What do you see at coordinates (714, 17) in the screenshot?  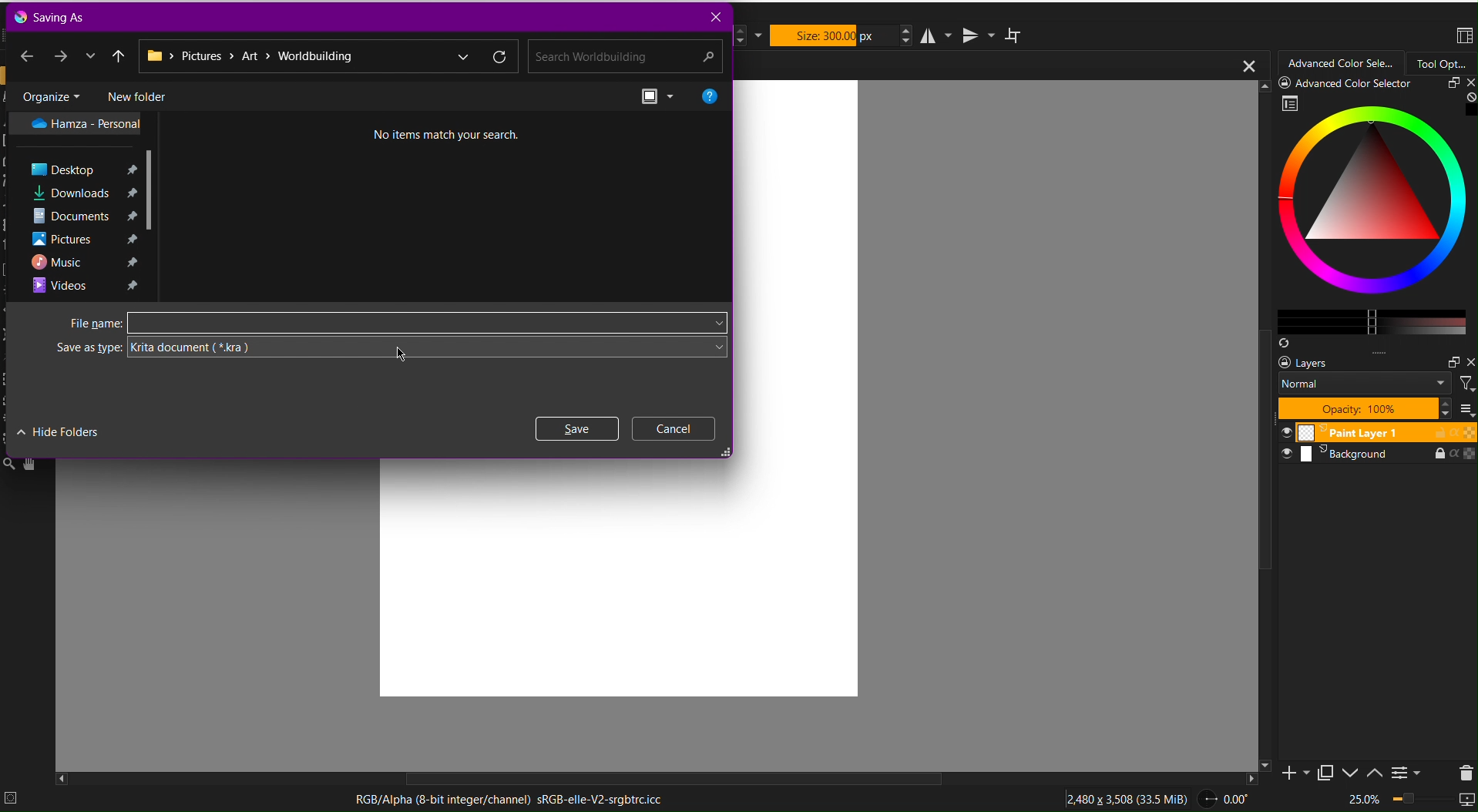 I see `Close` at bounding box center [714, 17].